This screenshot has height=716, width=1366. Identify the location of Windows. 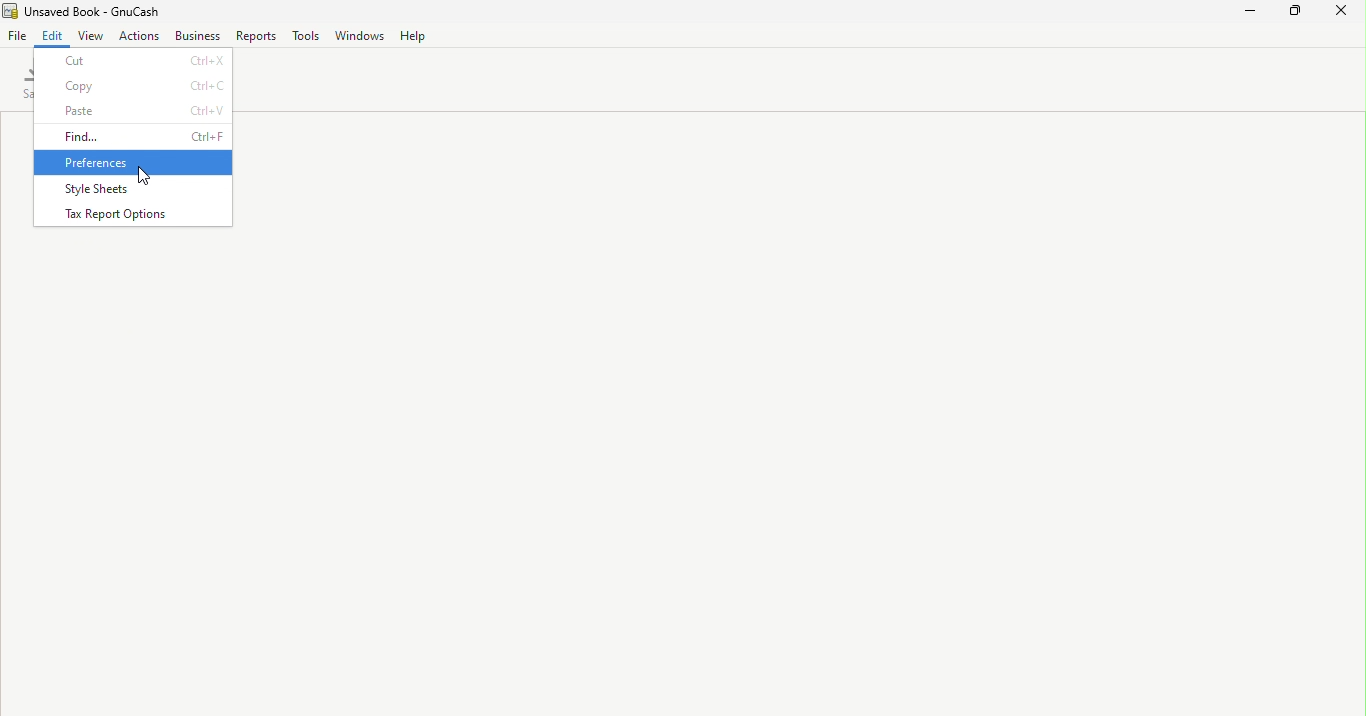
(360, 35).